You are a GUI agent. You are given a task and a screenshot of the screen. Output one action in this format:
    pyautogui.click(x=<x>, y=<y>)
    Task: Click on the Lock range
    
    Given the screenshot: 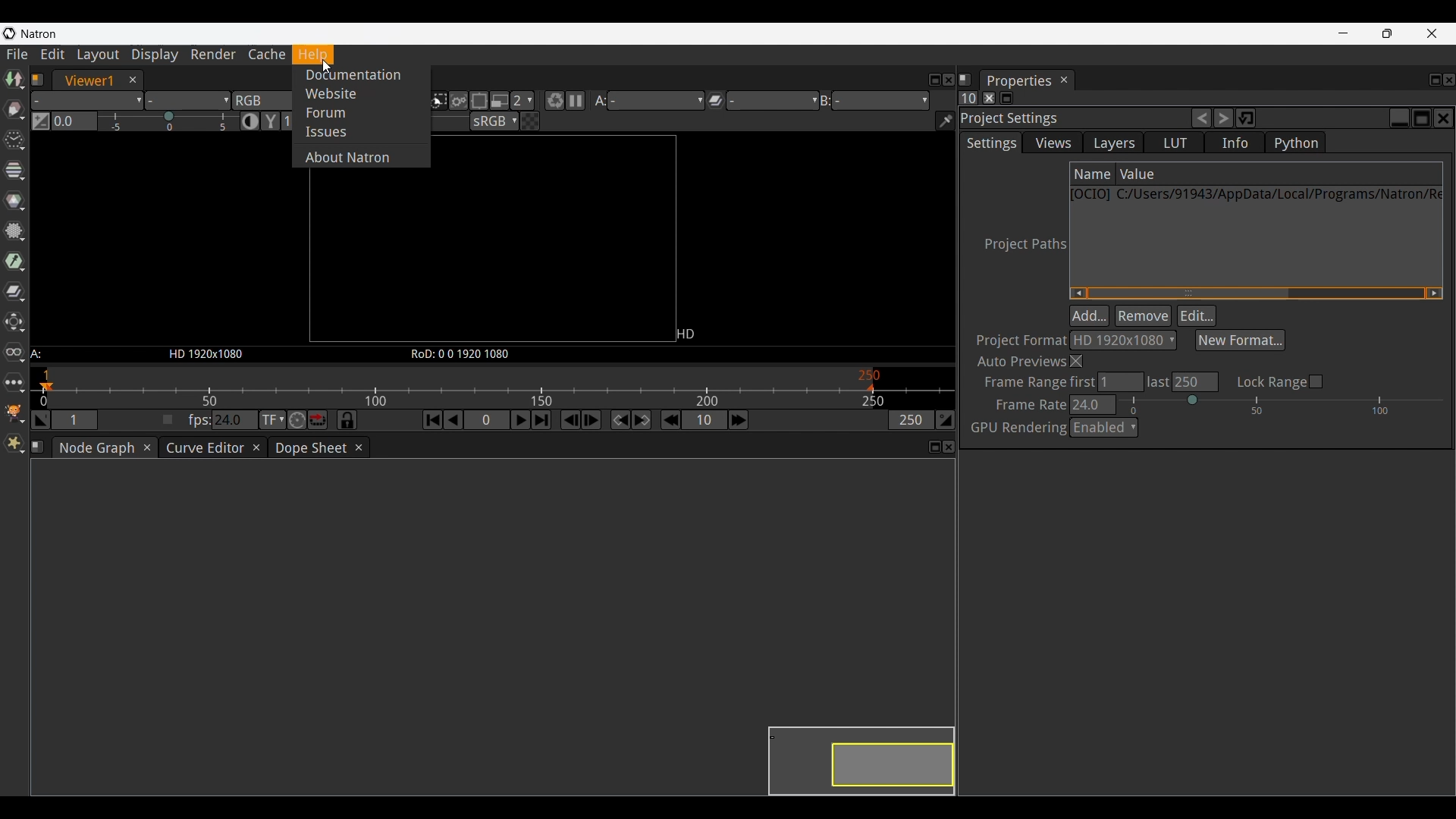 What is the action you would take?
    pyautogui.click(x=1280, y=382)
    